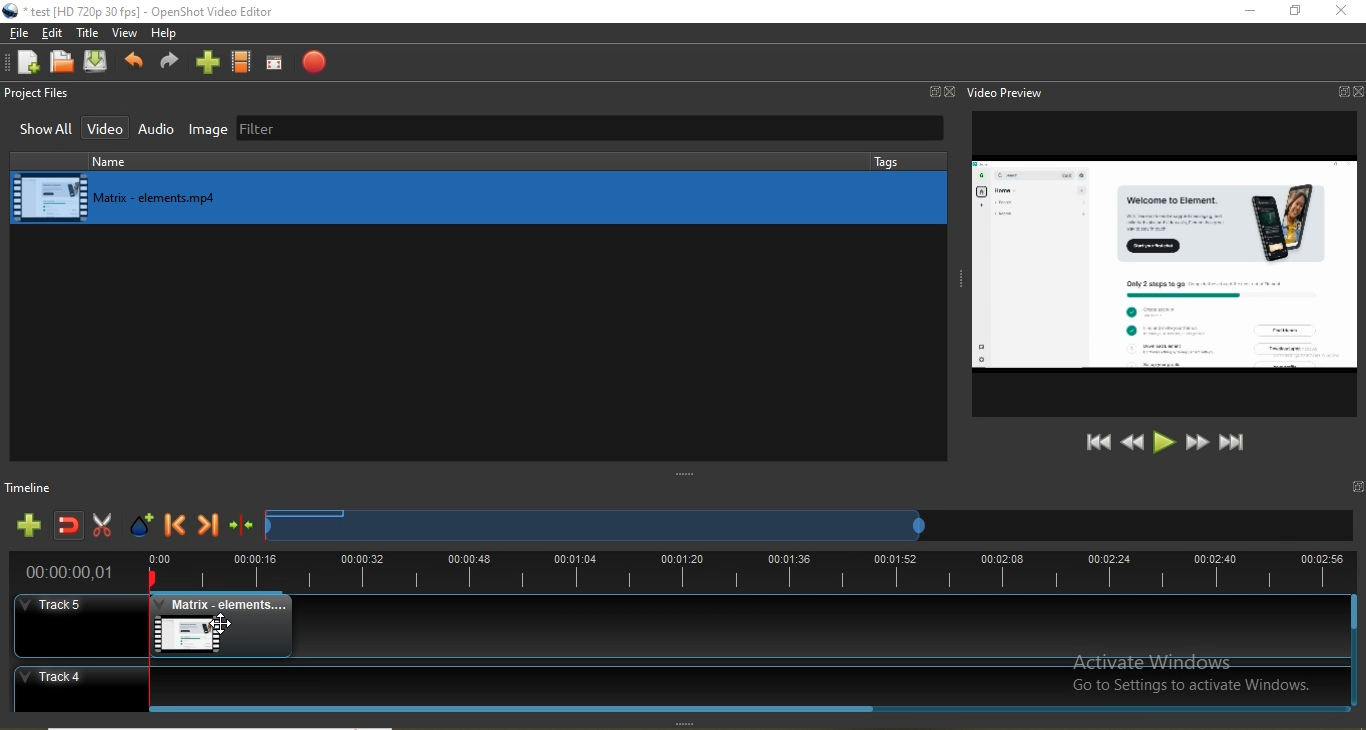  I want to click on cursor, so click(222, 625).